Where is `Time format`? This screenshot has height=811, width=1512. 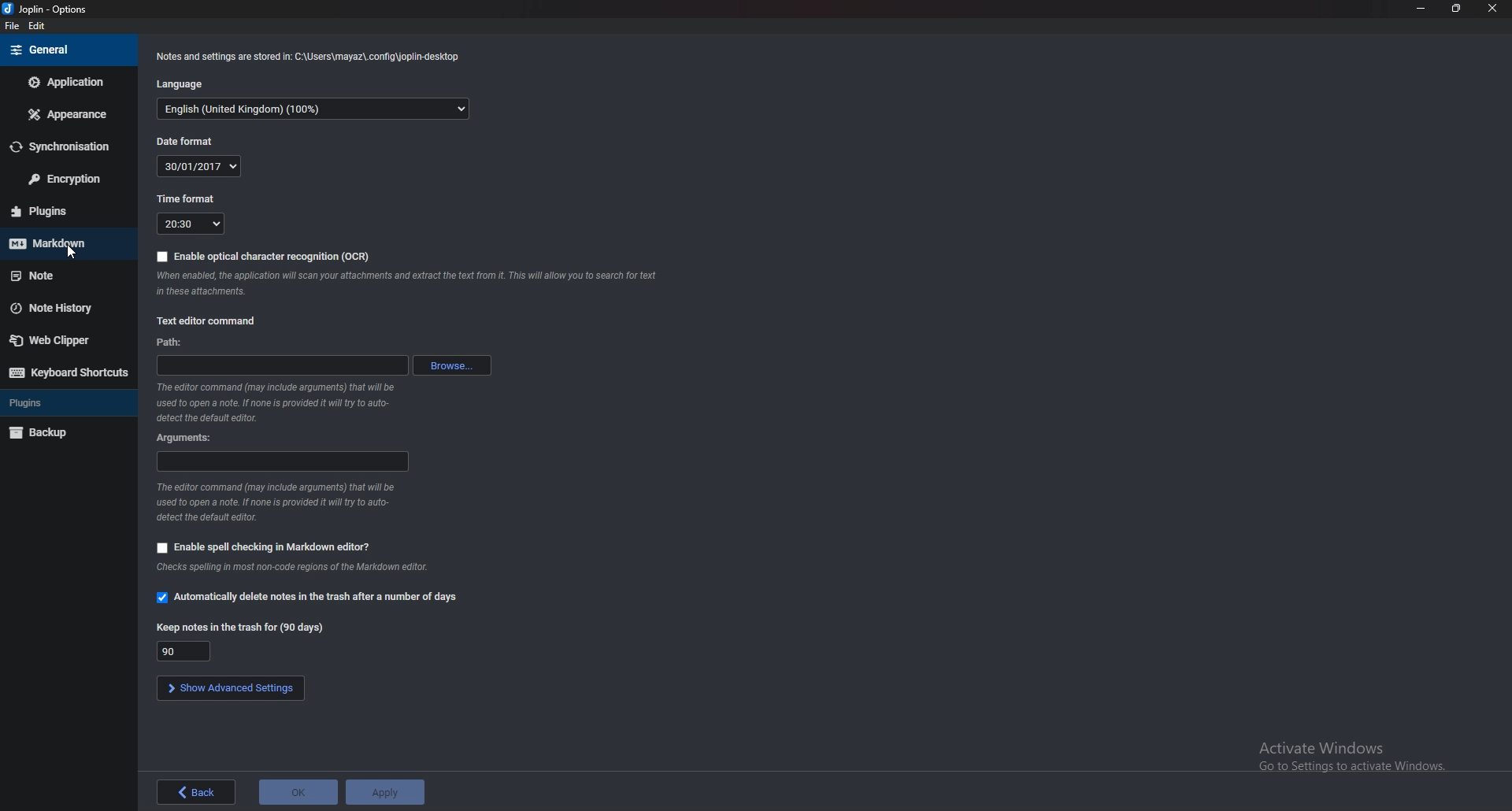
Time format is located at coordinates (192, 198).